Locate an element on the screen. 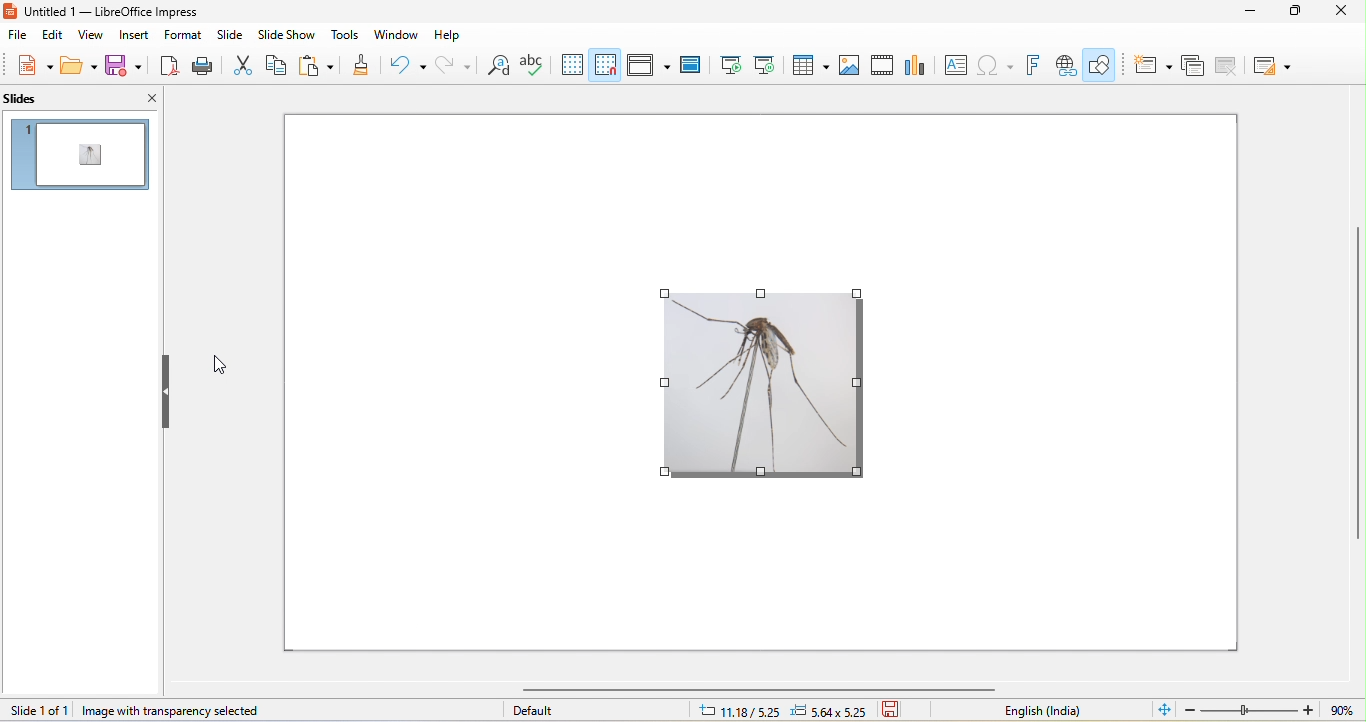 The image size is (1366, 722). libreoffice impress logo is located at coordinates (10, 11).